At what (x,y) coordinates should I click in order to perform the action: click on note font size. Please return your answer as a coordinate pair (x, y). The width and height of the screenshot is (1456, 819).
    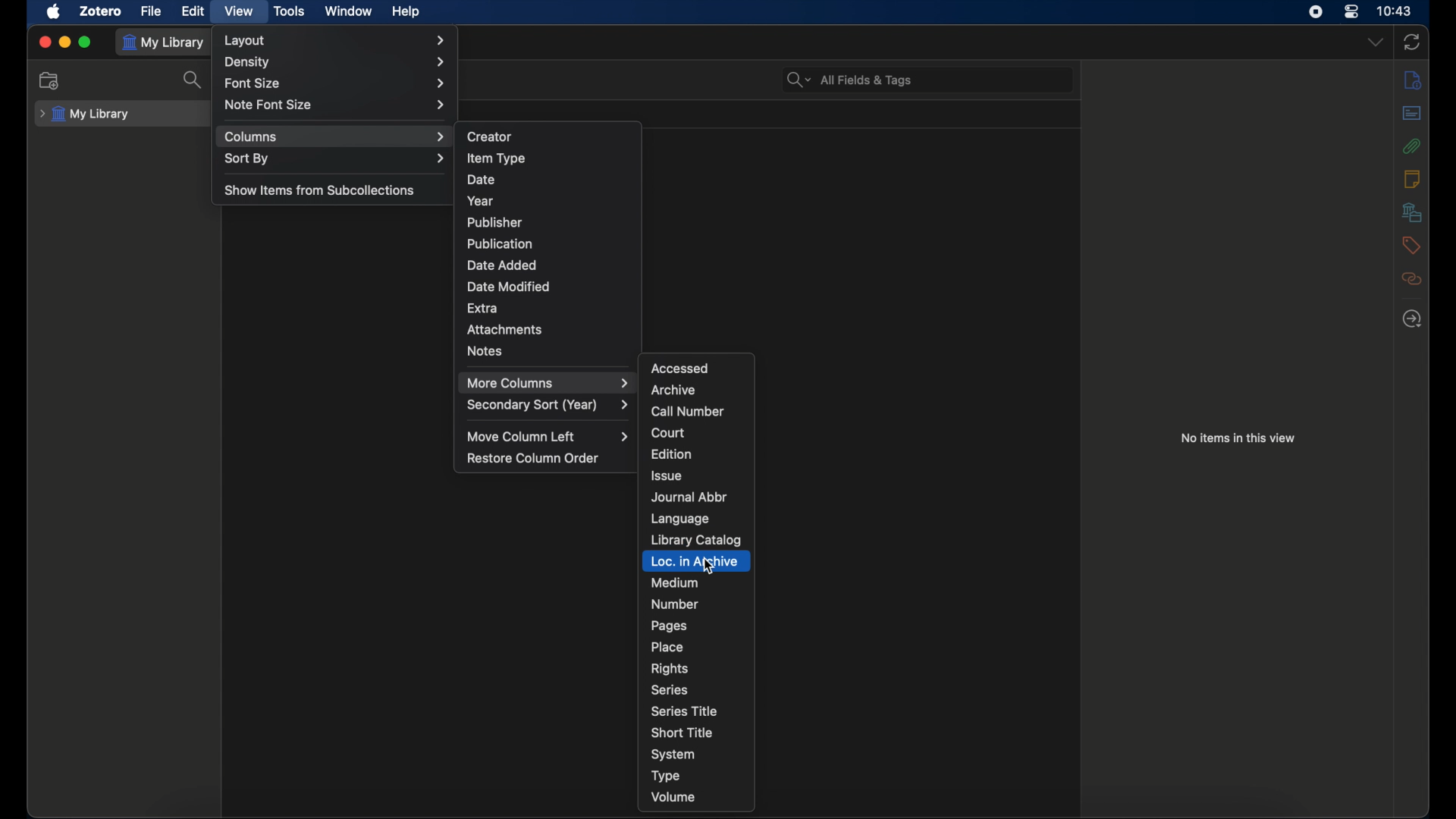
    Looking at the image, I should click on (335, 105).